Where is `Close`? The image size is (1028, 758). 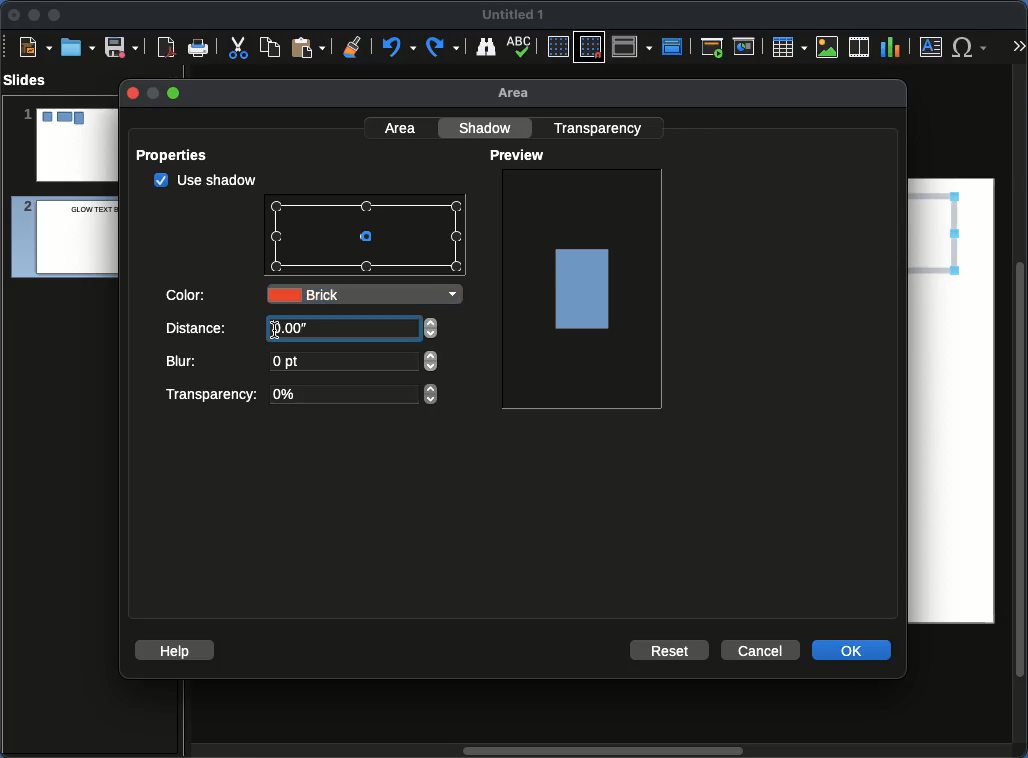
Close is located at coordinates (15, 15).